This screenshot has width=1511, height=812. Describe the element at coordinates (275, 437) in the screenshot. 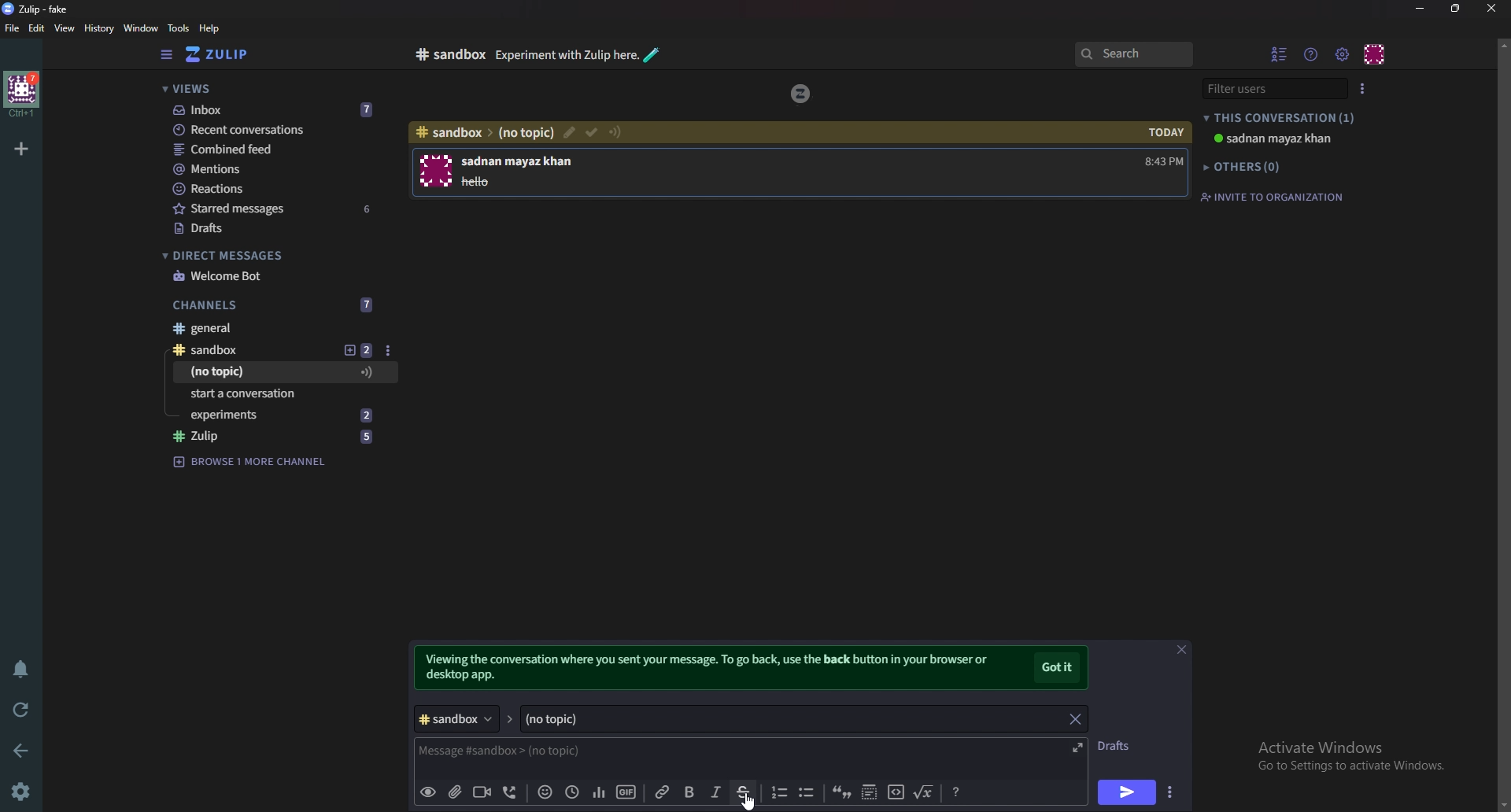

I see `zulip` at that location.